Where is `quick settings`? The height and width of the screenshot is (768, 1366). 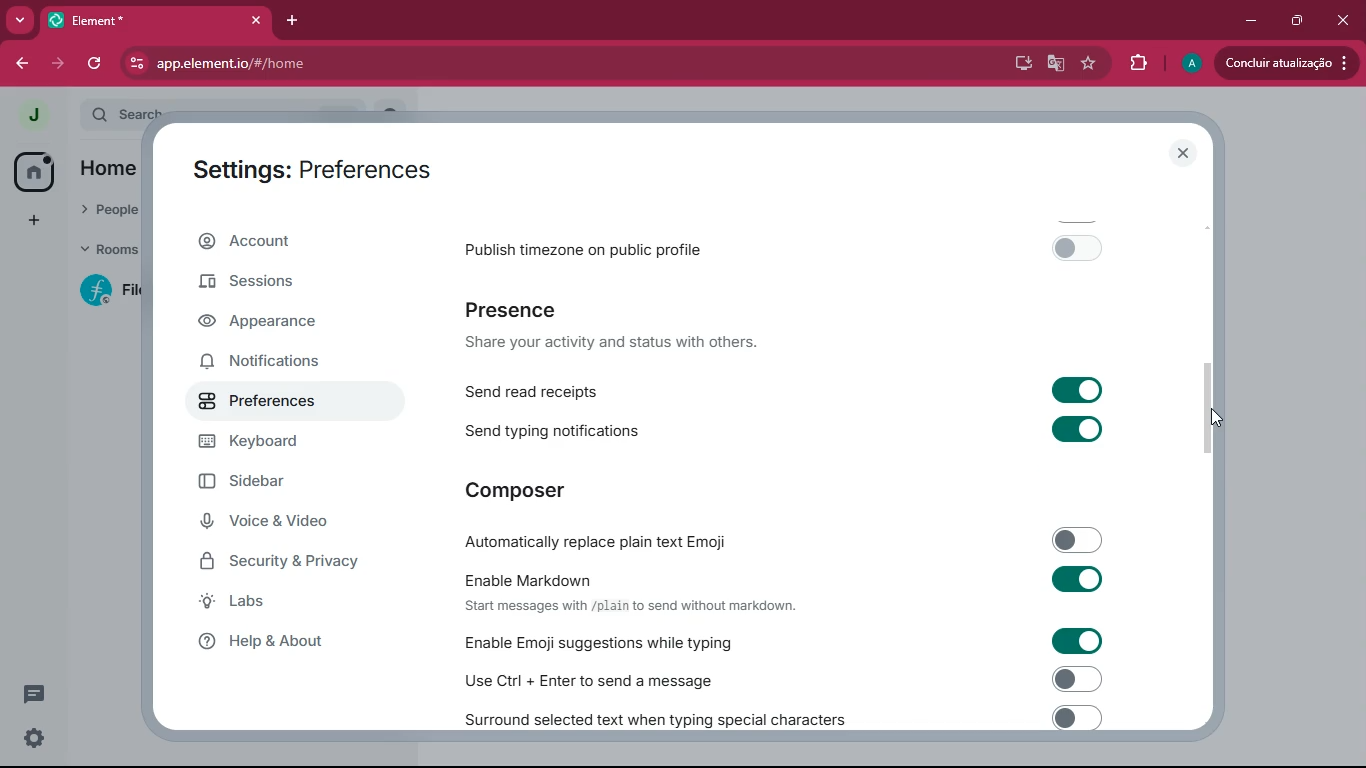 quick settings is located at coordinates (32, 740).